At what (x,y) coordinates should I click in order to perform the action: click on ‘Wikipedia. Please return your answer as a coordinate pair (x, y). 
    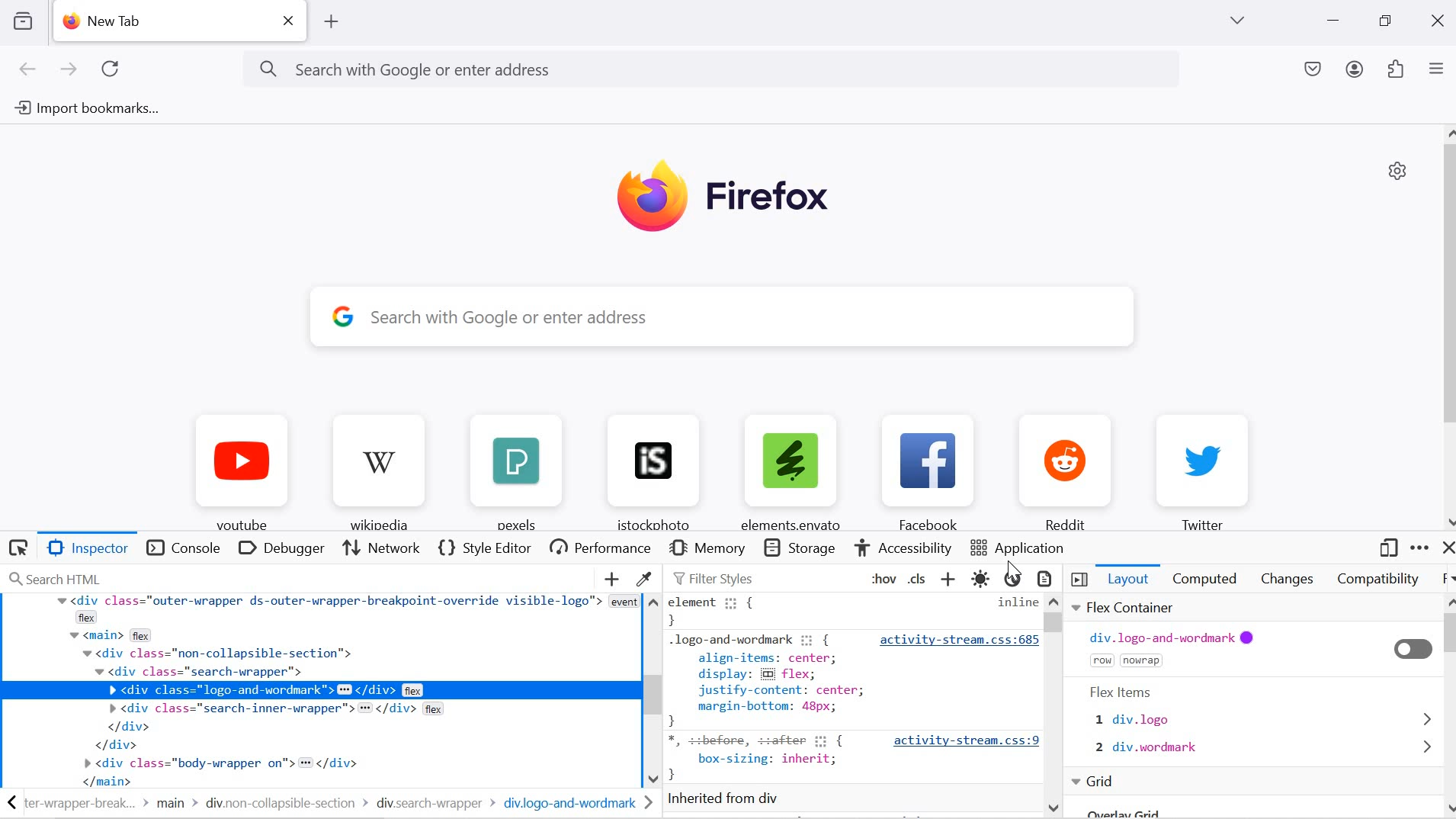
    Looking at the image, I should click on (380, 467).